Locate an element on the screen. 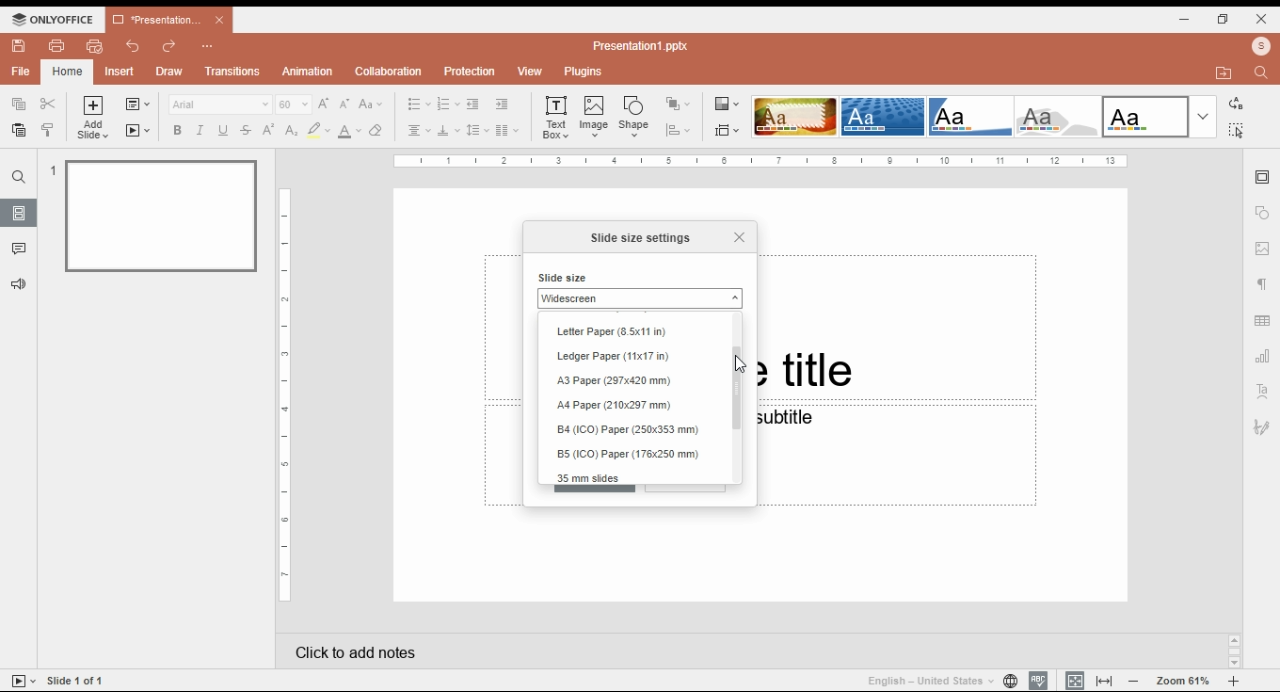  increment font size is located at coordinates (323, 103).